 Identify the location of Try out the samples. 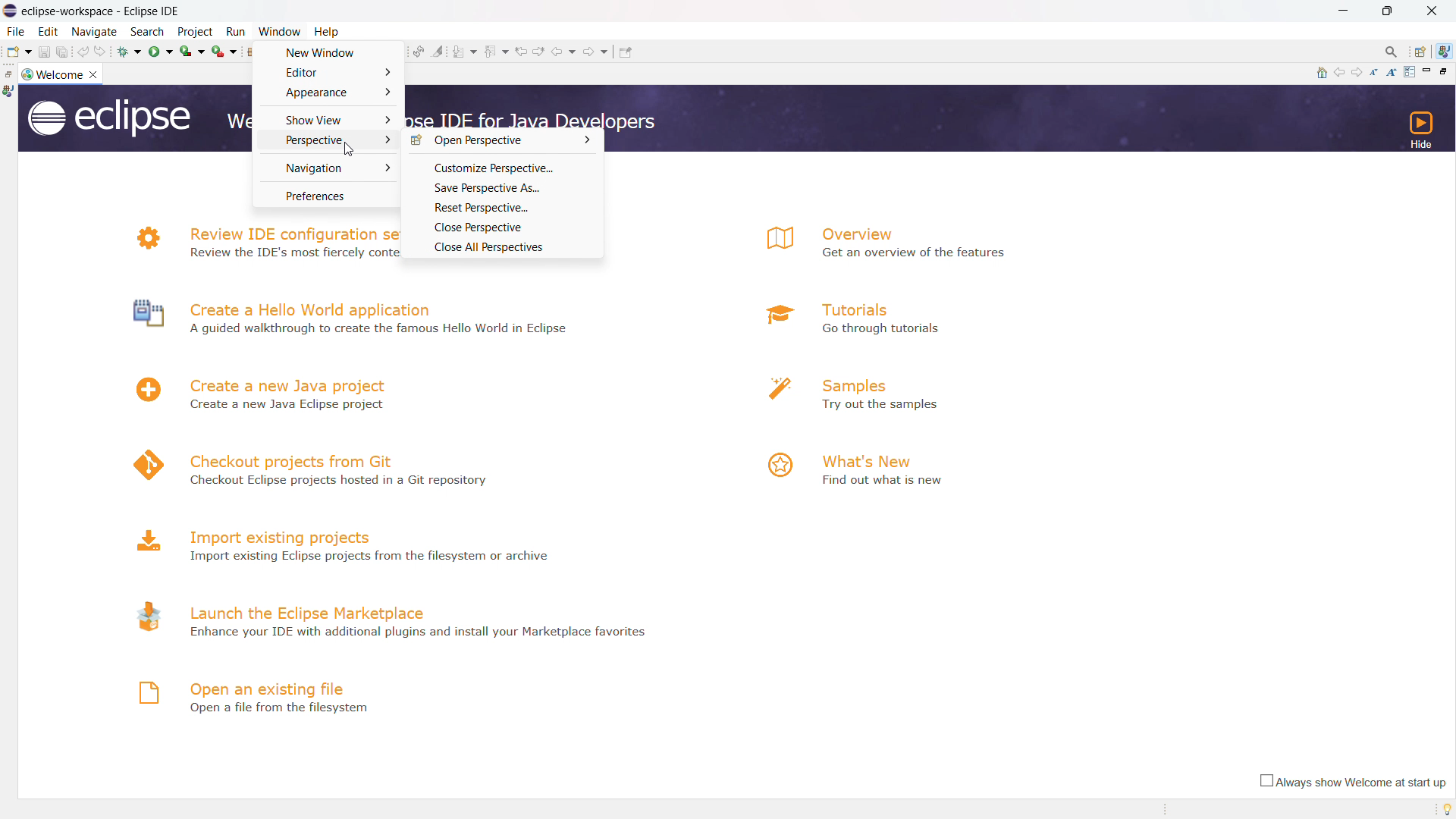
(900, 406).